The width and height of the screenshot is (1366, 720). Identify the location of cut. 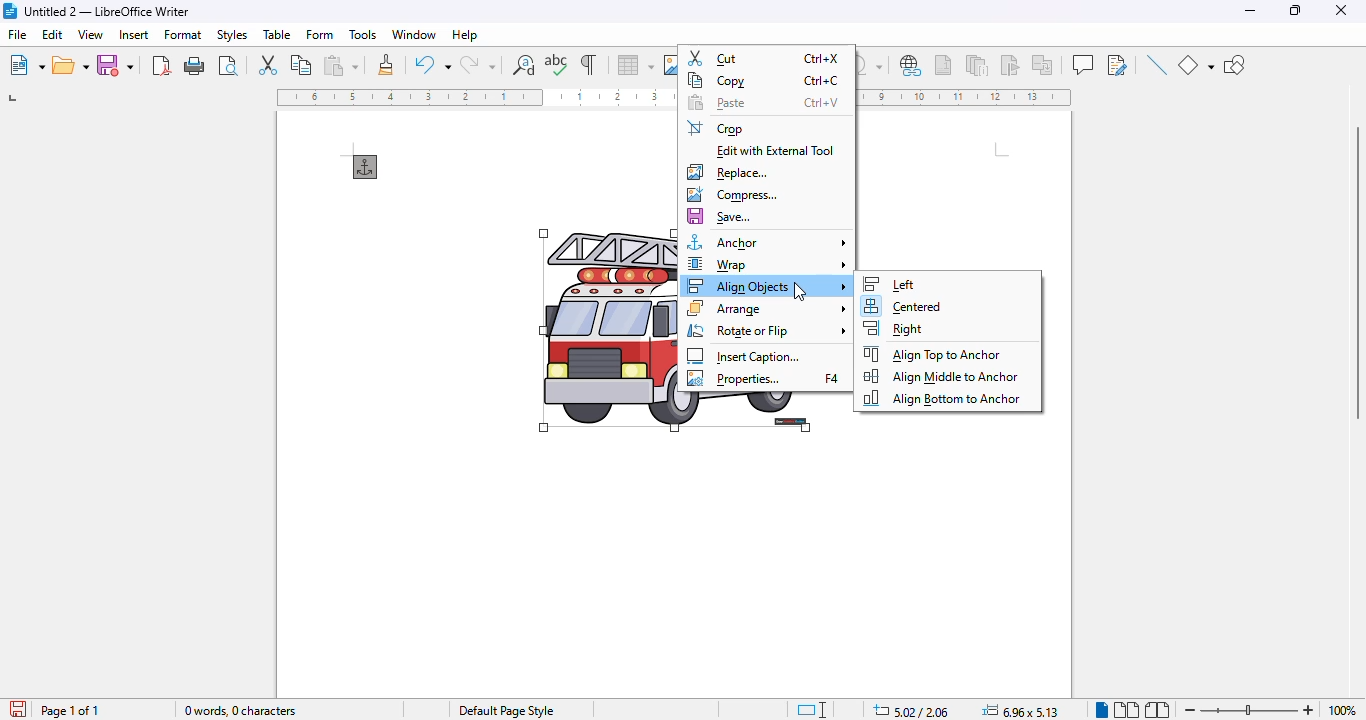
(267, 63).